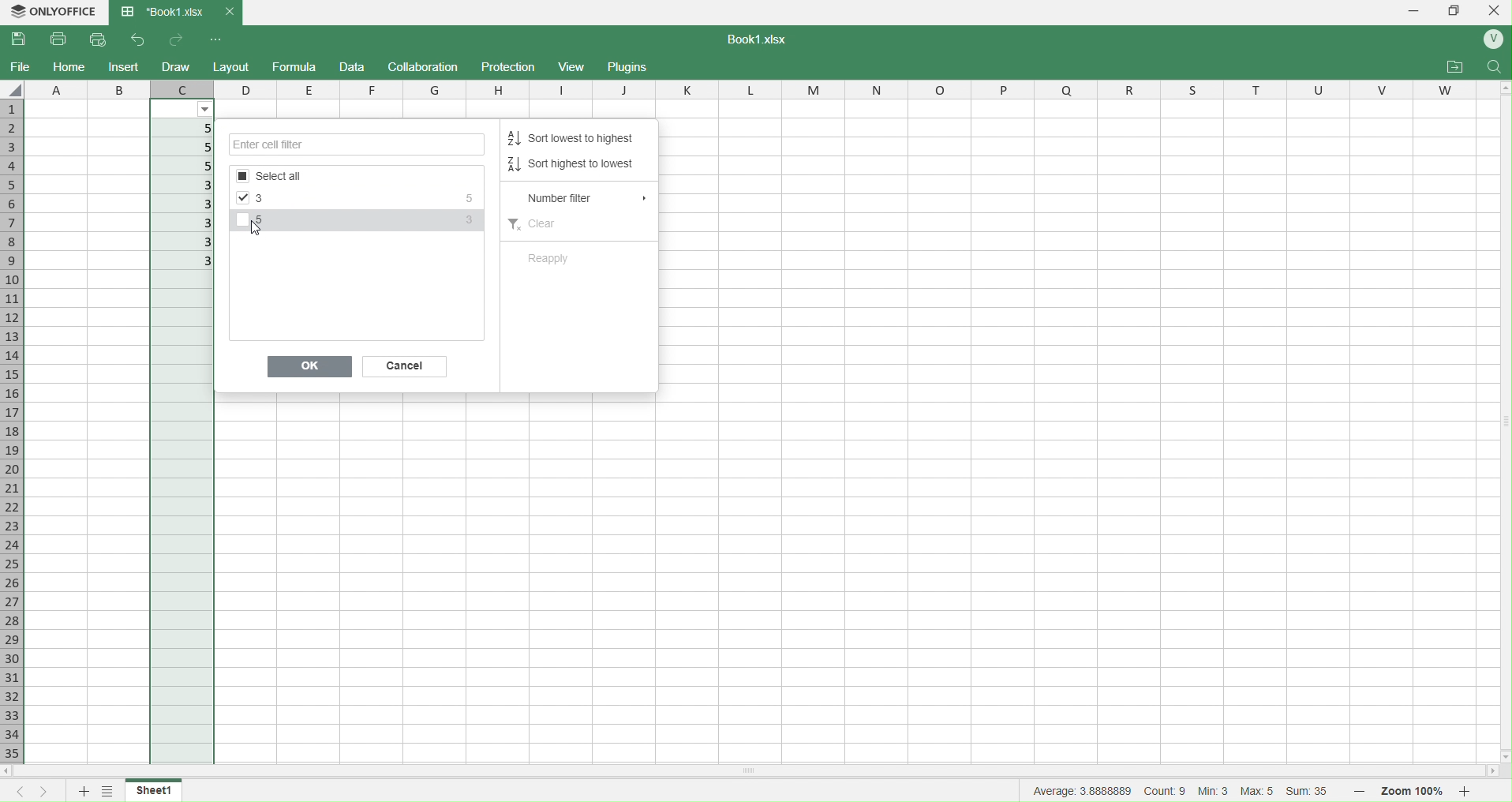 The height and width of the screenshot is (802, 1512). What do you see at coordinates (175, 66) in the screenshot?
I see `Draw` at bounding box center [175, 66].